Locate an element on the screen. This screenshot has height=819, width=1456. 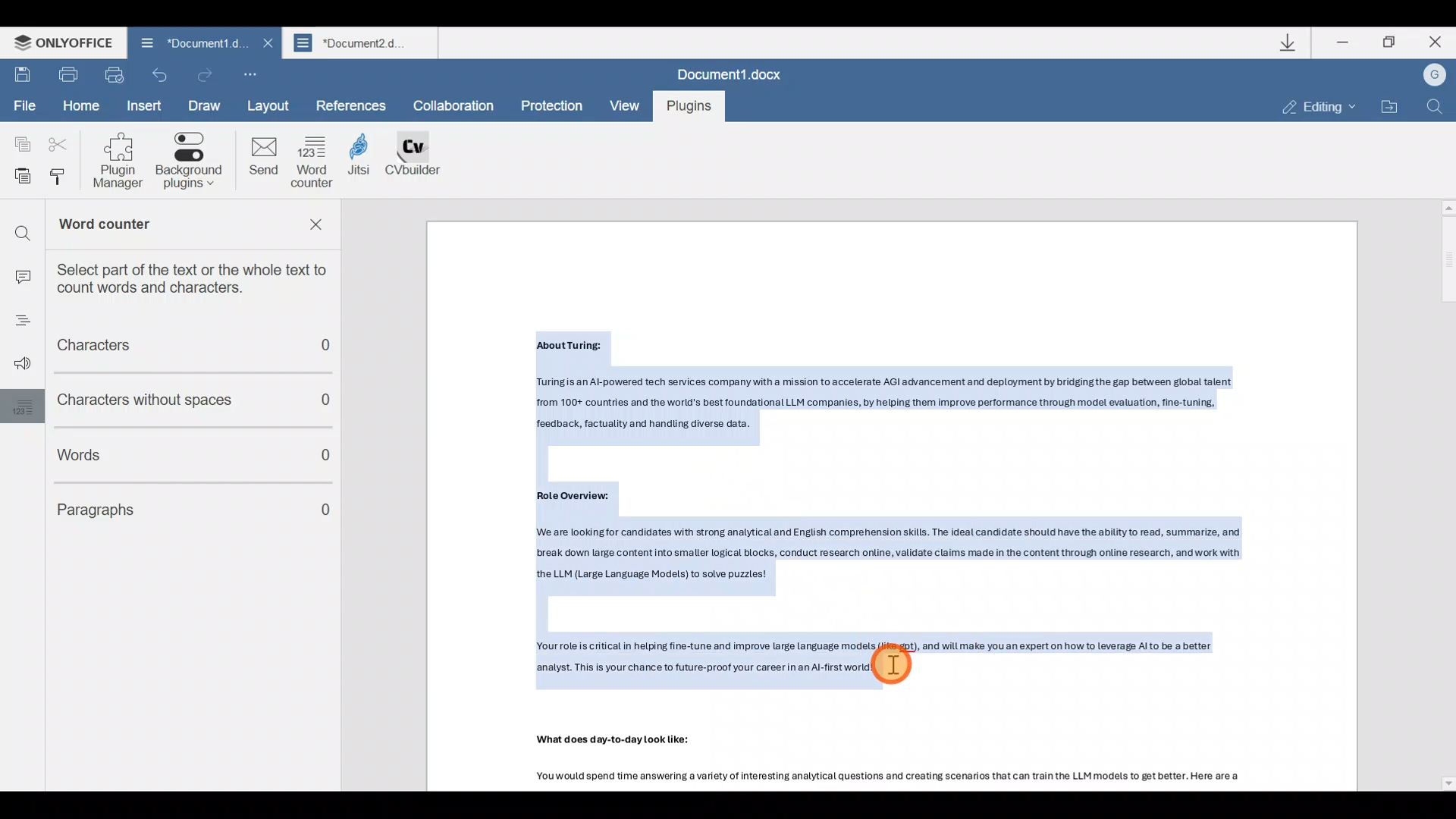
words setting is located at coordinates (19, 406).